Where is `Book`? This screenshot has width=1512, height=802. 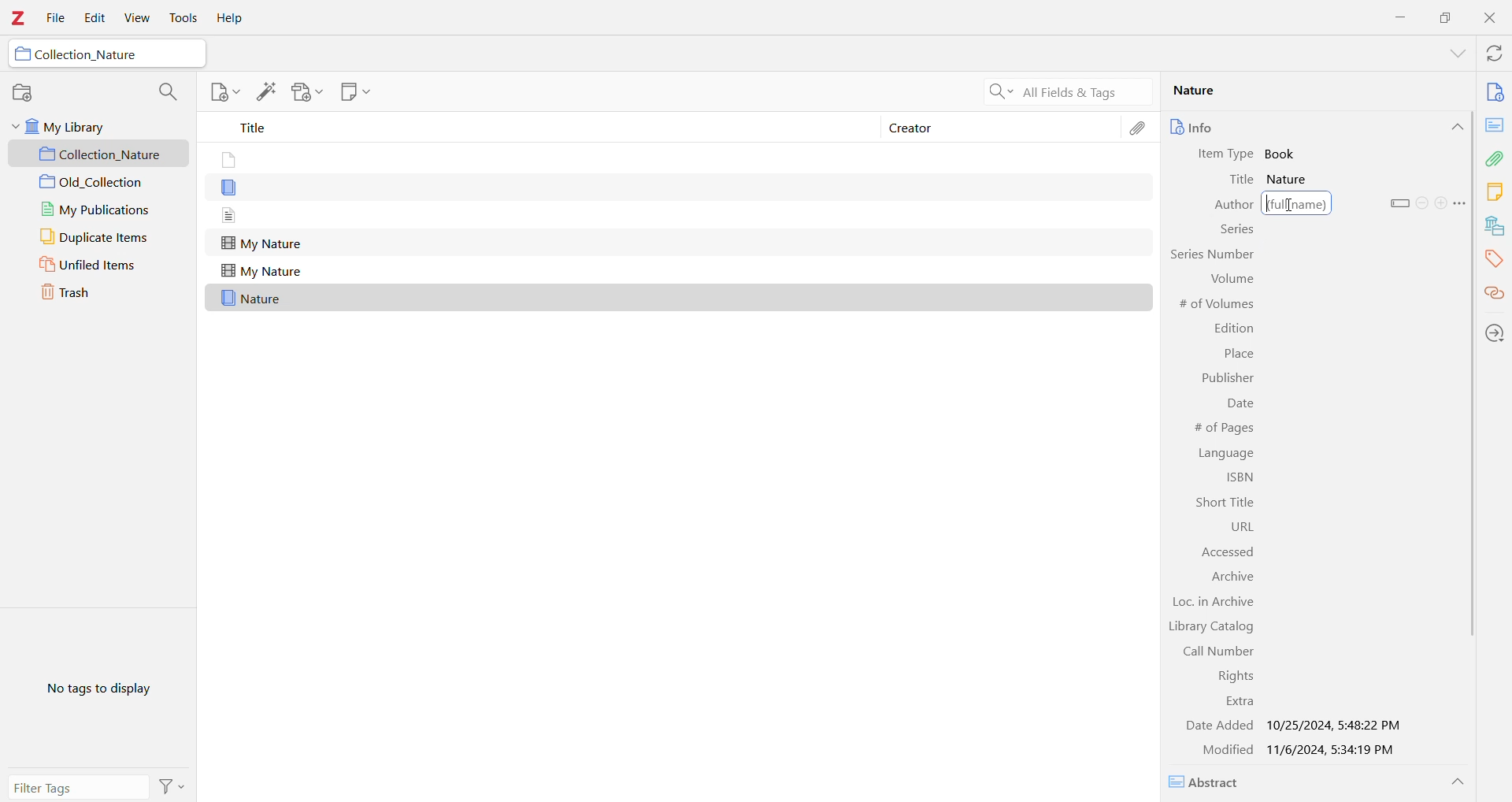
Book is located at coordinates (1284, 154).